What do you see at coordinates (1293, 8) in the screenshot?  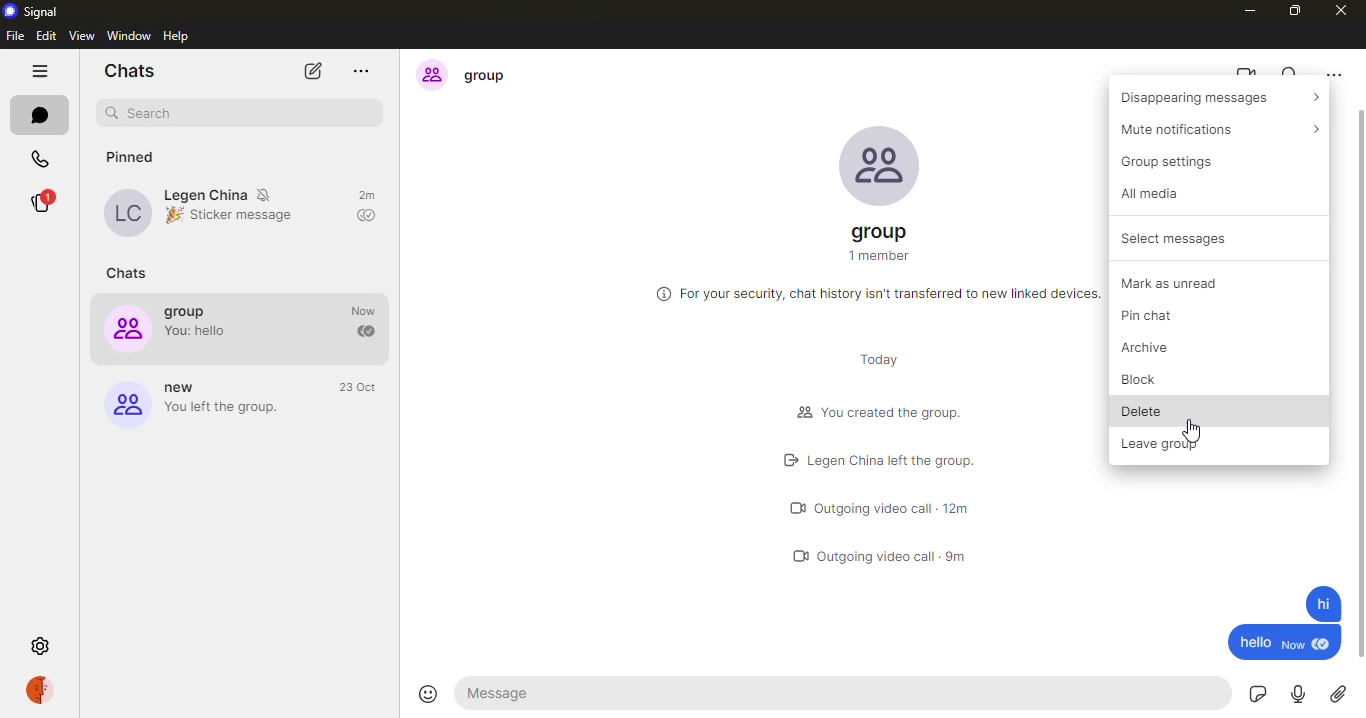 I see `maximize` at bounding box center [1293, 8].